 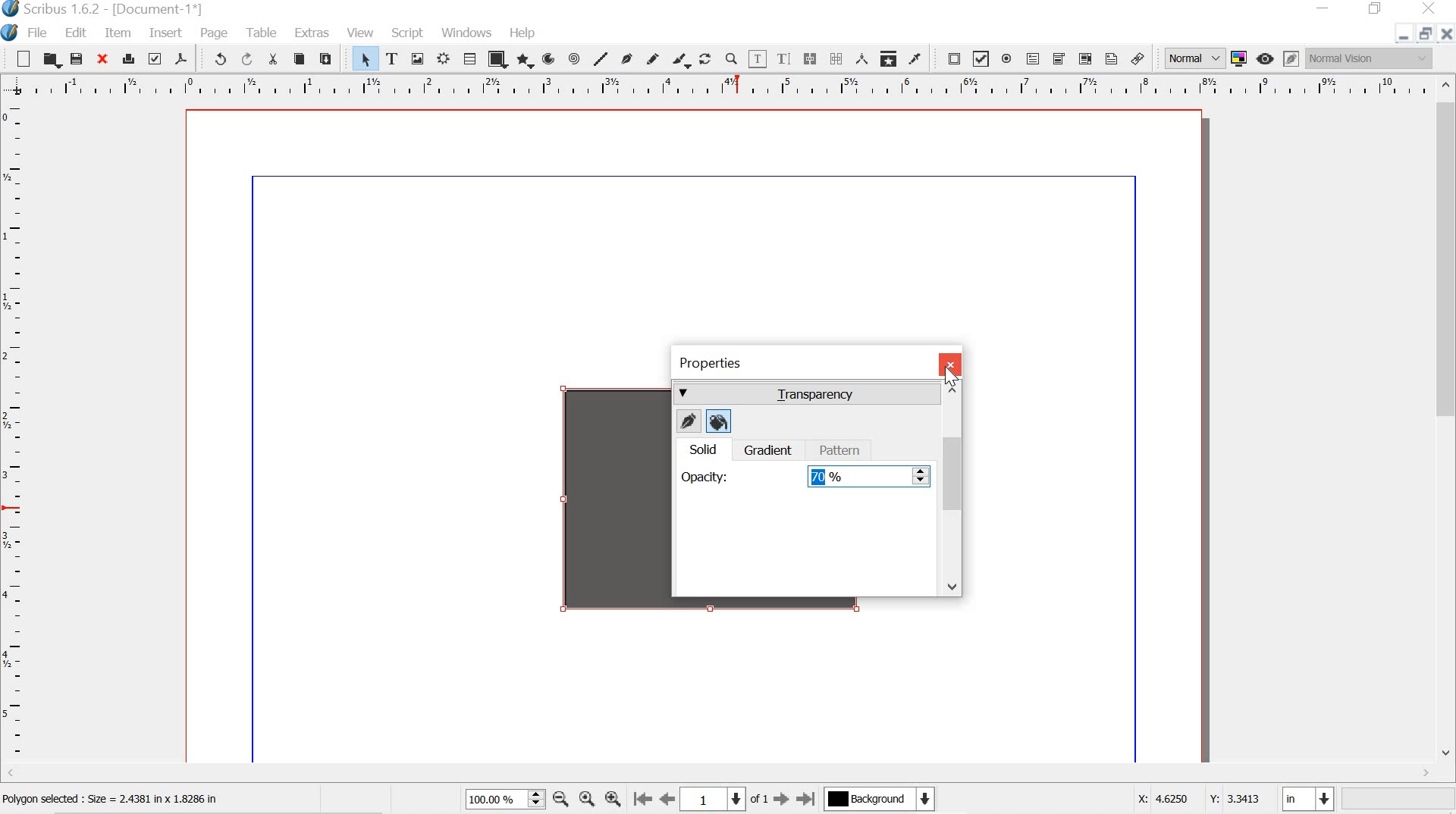 I want to click on pdf check box, so click(x=982, y=58).